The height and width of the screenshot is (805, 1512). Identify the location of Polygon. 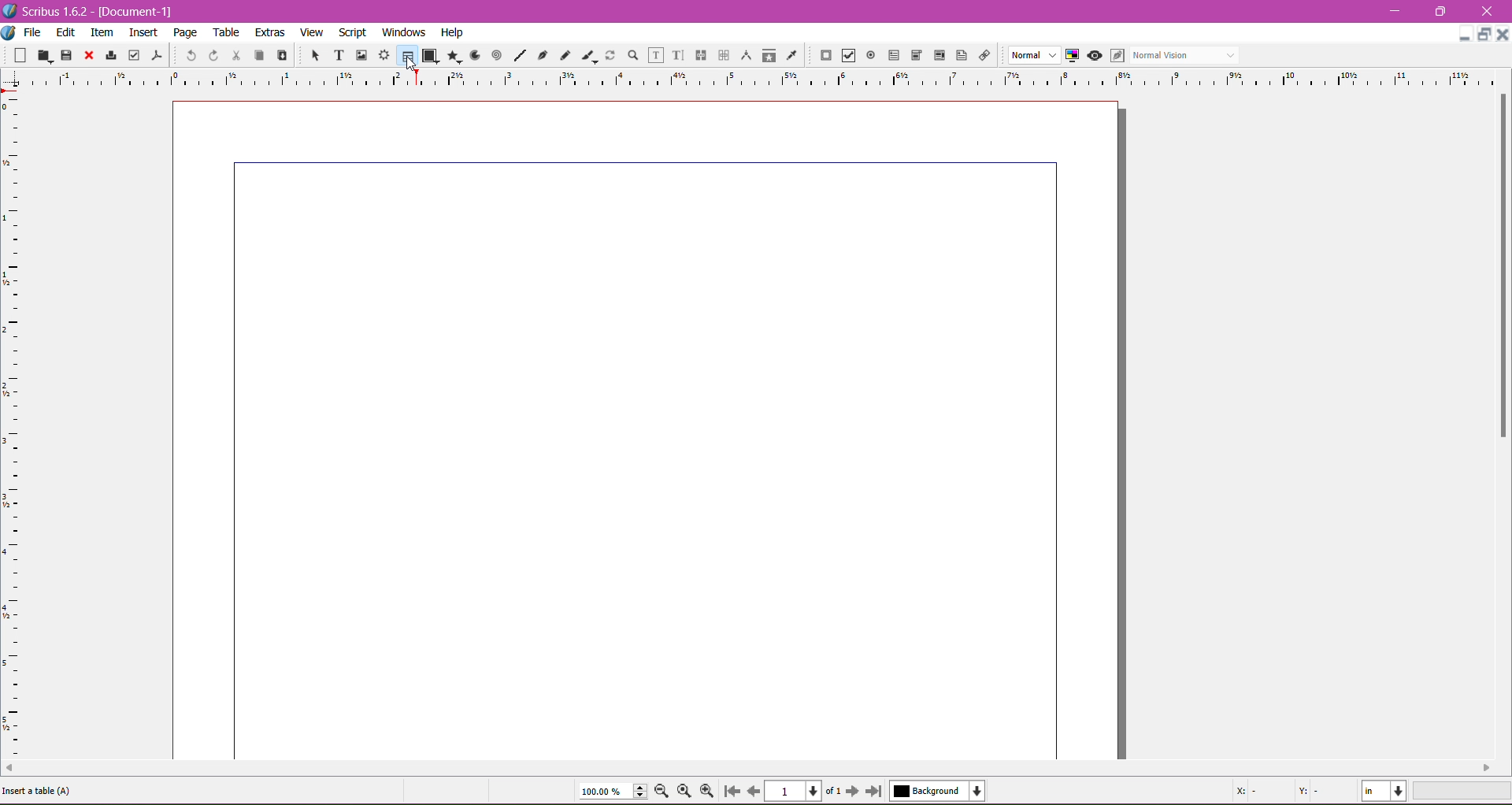
(451, 55).